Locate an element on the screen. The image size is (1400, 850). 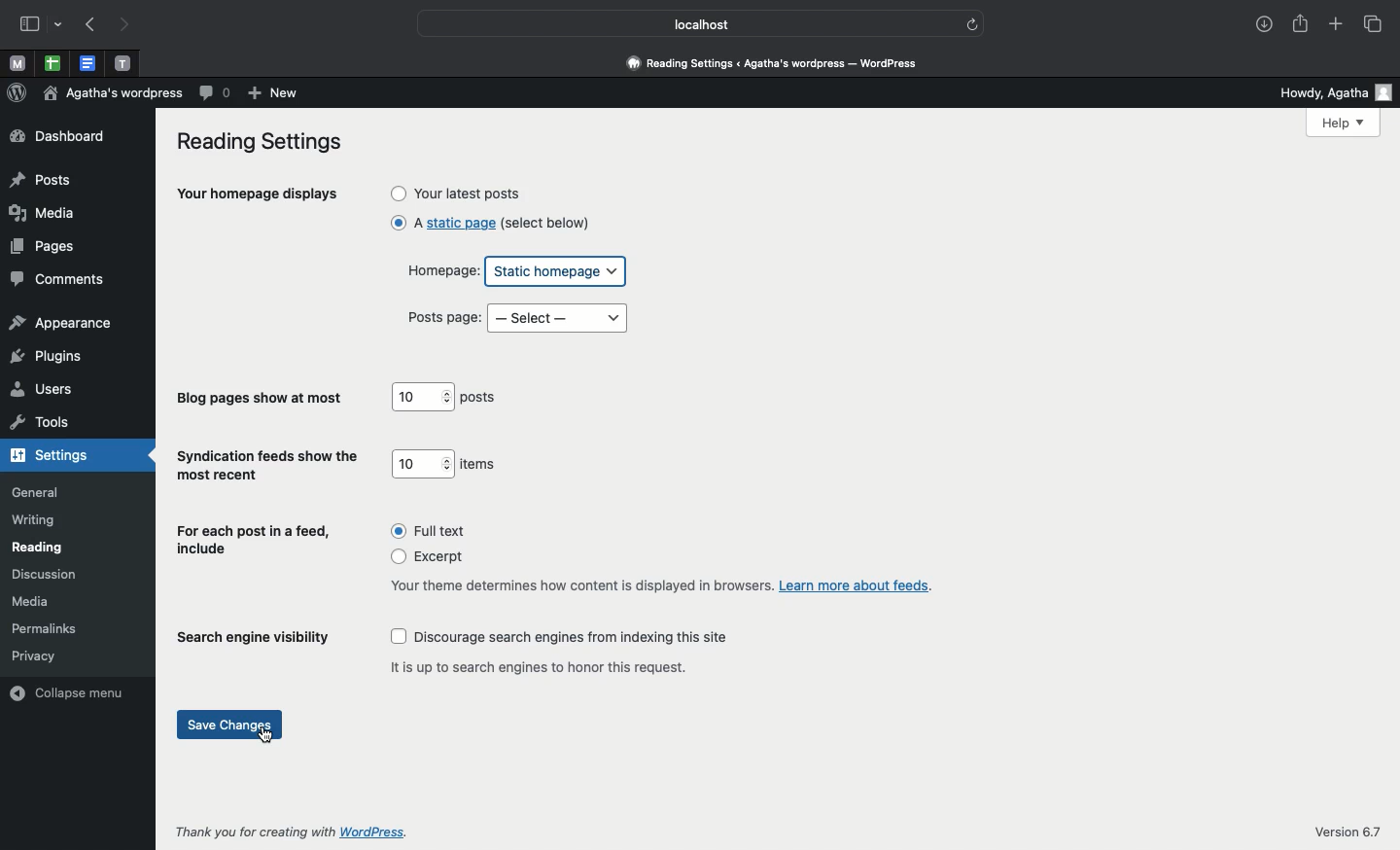
posts is located at coordinates (482, 399).